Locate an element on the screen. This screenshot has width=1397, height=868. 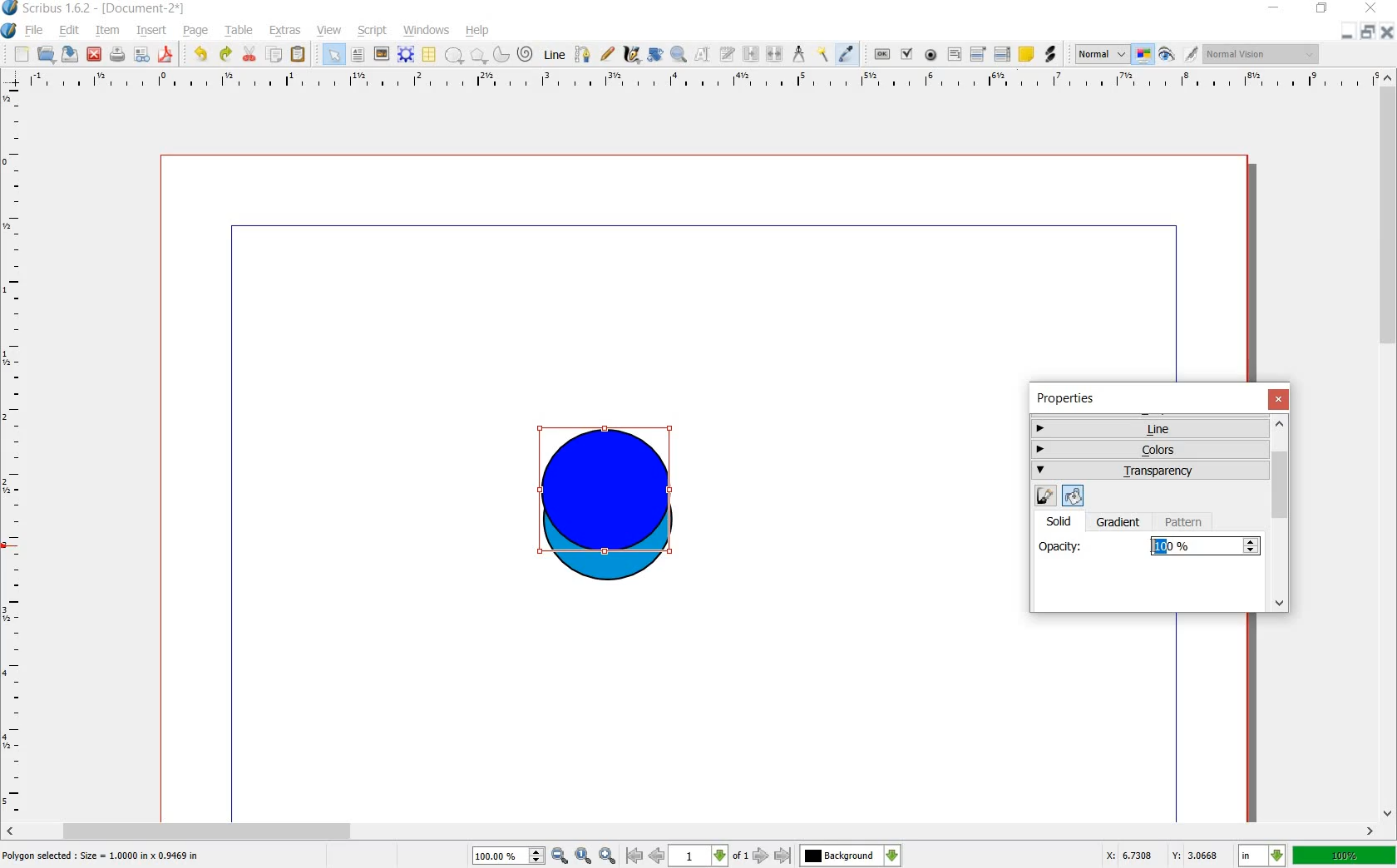
print is located at coordinates (118, 55).